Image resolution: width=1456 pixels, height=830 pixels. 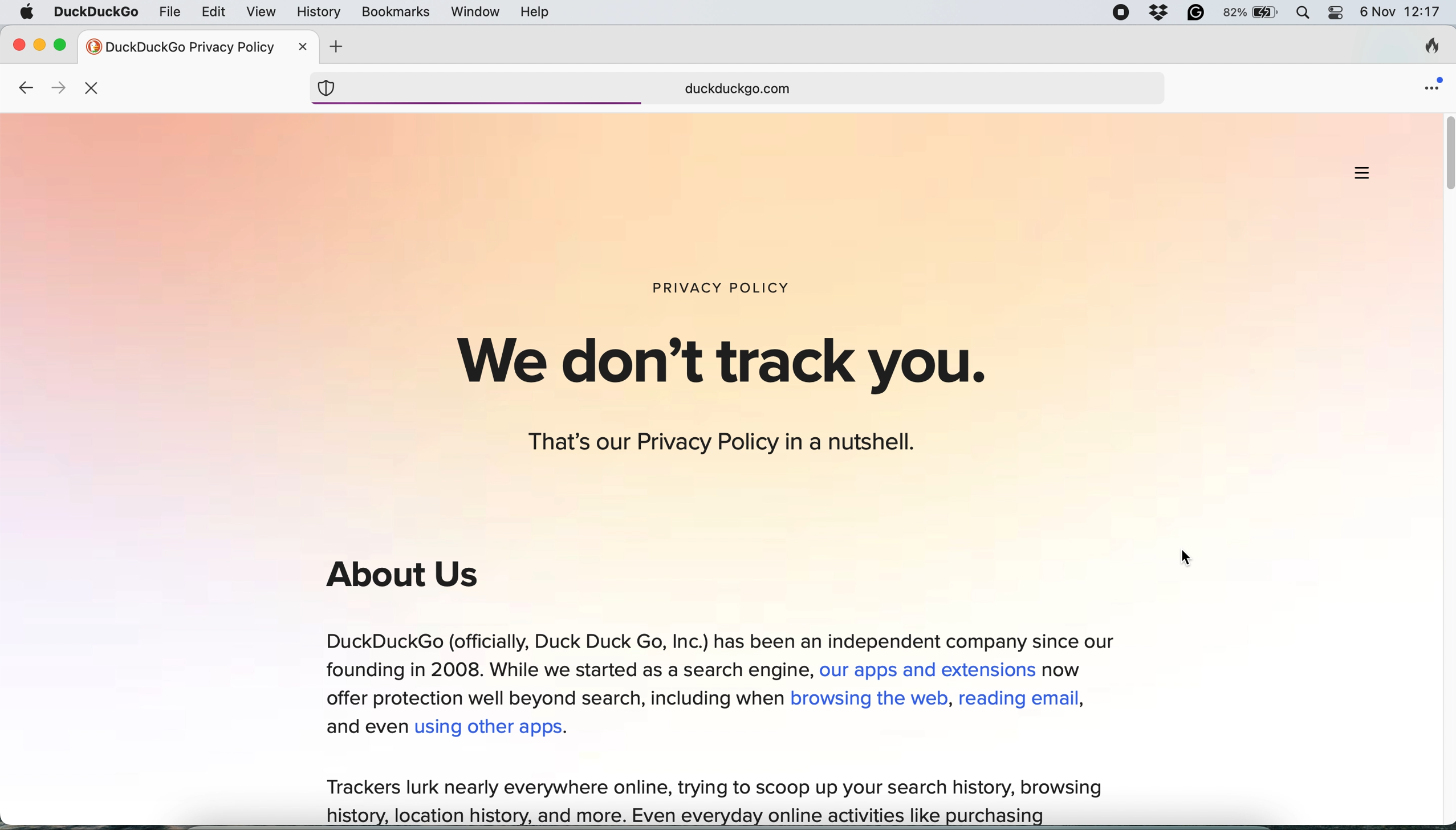 What do you see at coordinates (23, 86) in the screenshot?
I see `go back` at bounding box center [23, 86].